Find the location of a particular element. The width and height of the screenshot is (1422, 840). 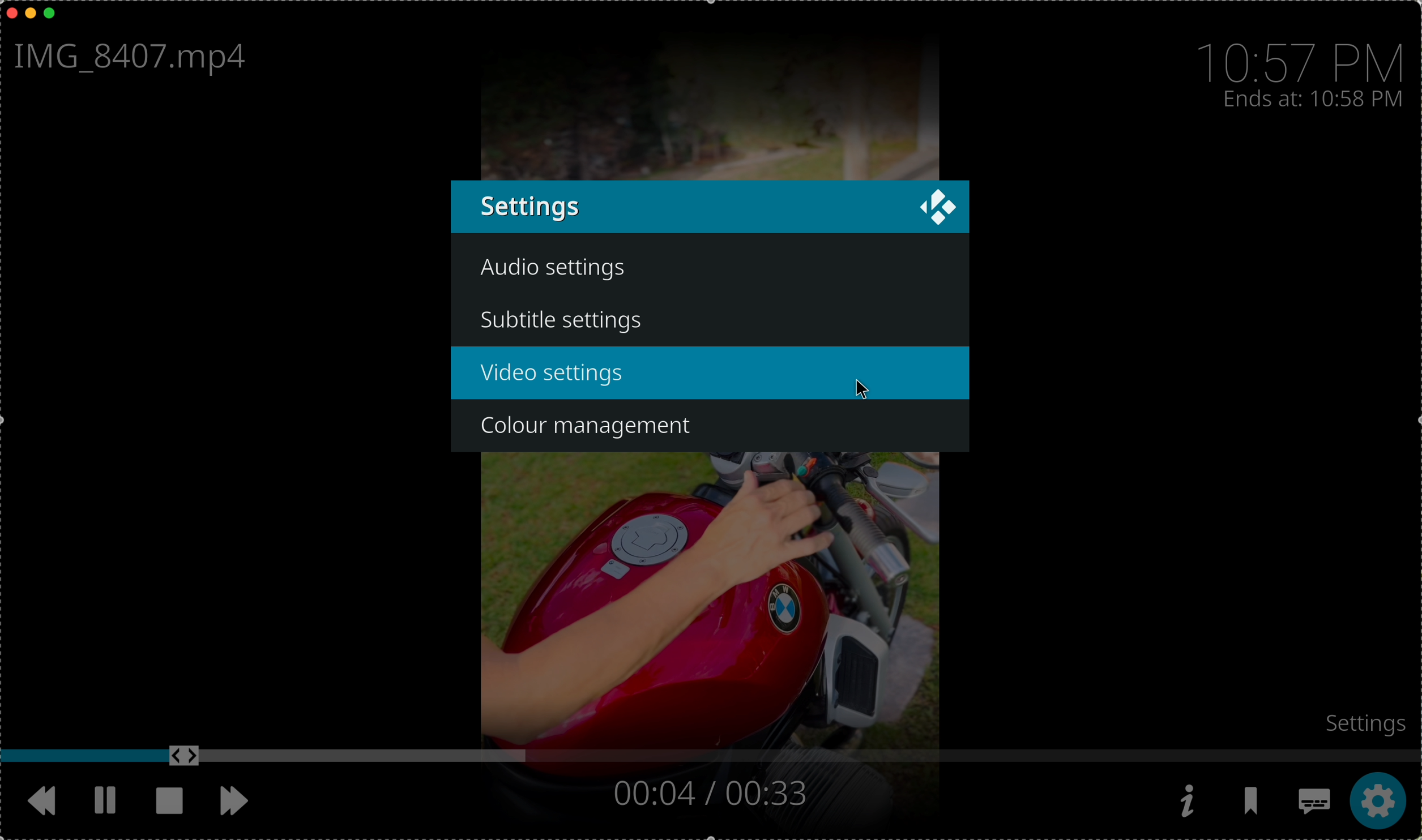

pause is located at coordinates (106, 800).